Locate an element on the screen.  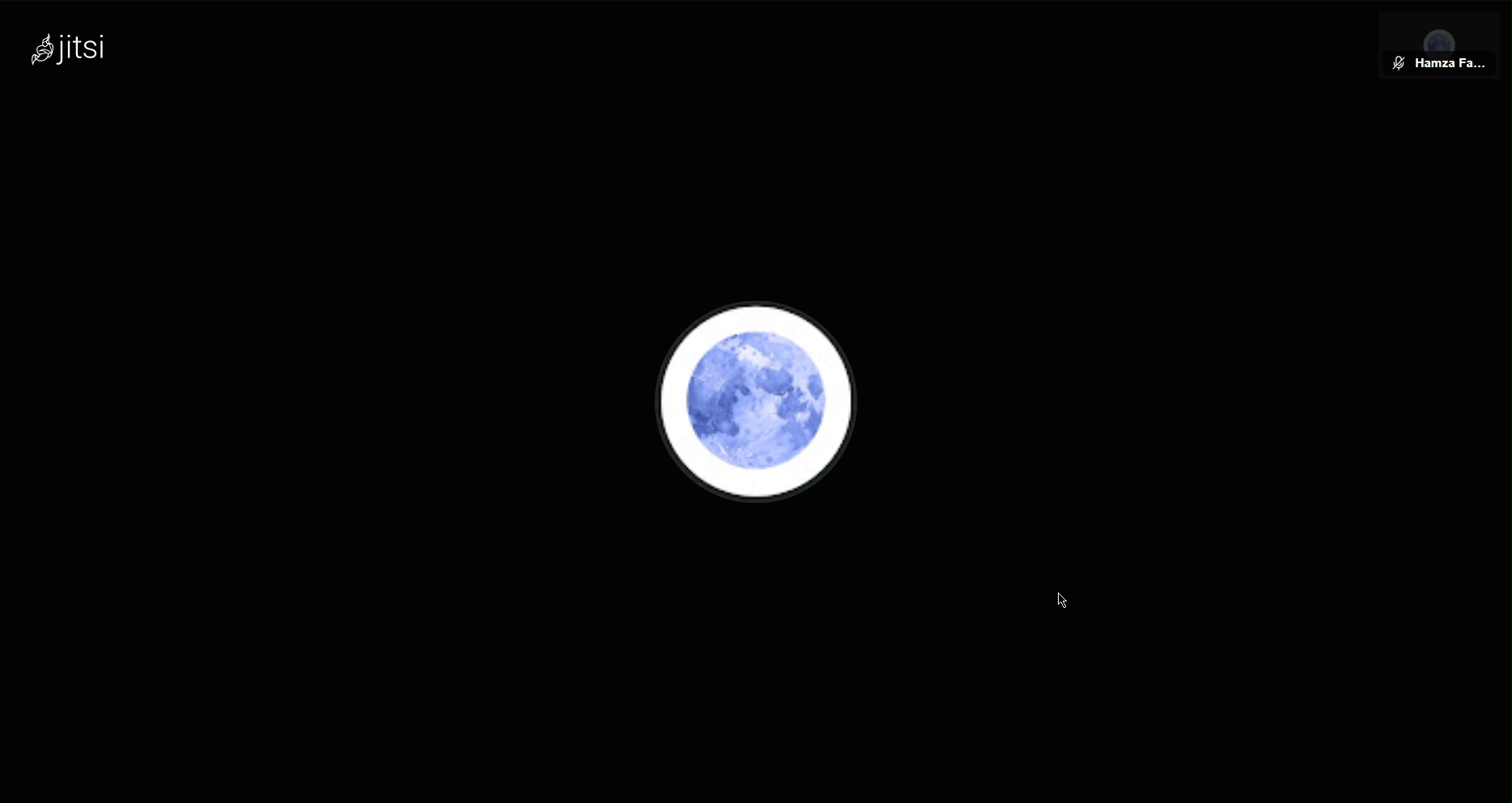
Cursor is located at coordinates (1065, 601).